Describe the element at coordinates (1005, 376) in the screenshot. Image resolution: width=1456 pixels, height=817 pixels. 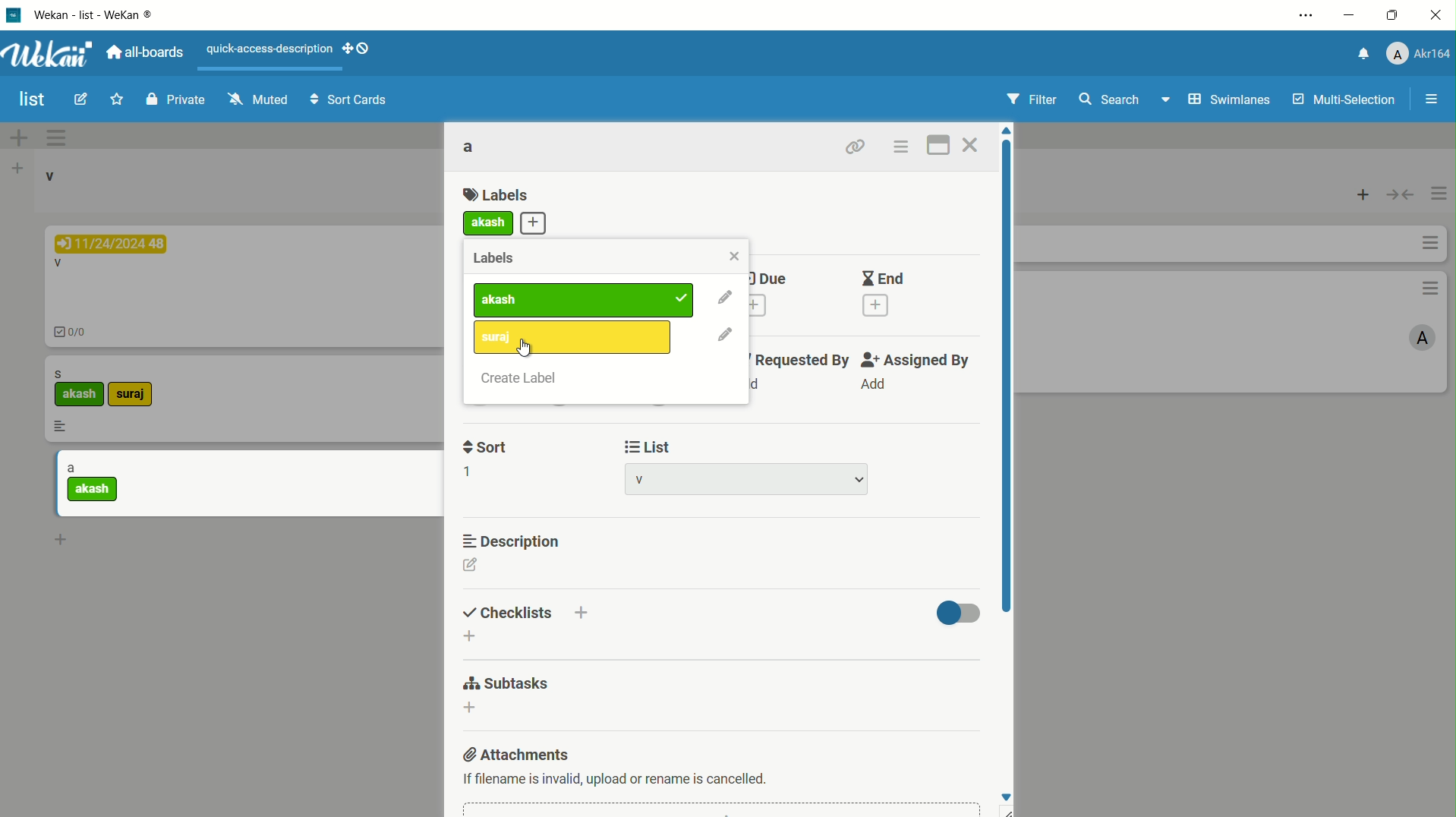
I see `scroll bar` at that location.